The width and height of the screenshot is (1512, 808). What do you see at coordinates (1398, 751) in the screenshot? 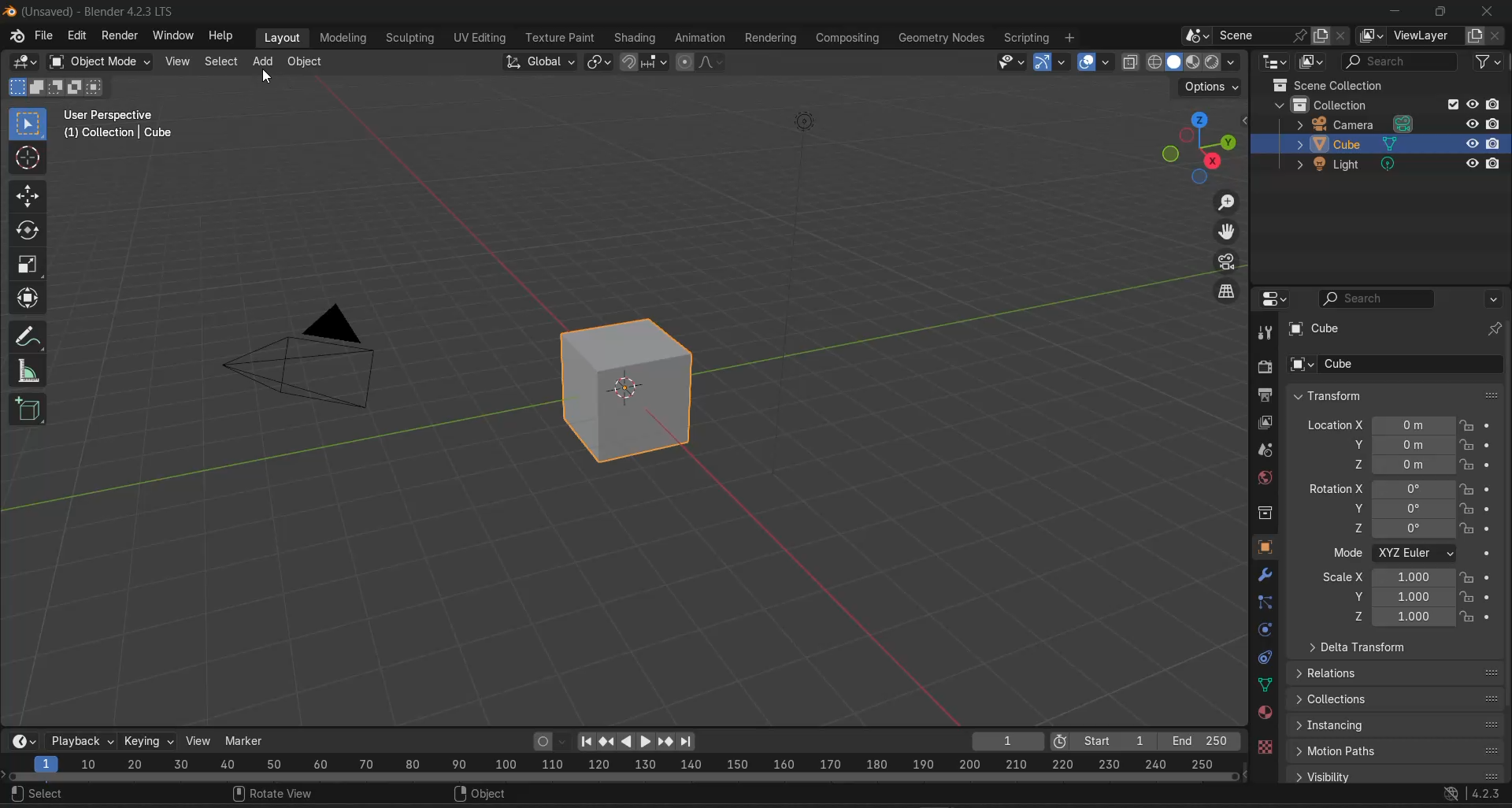
I see `motion paths` at bounding box center [1398, 751].